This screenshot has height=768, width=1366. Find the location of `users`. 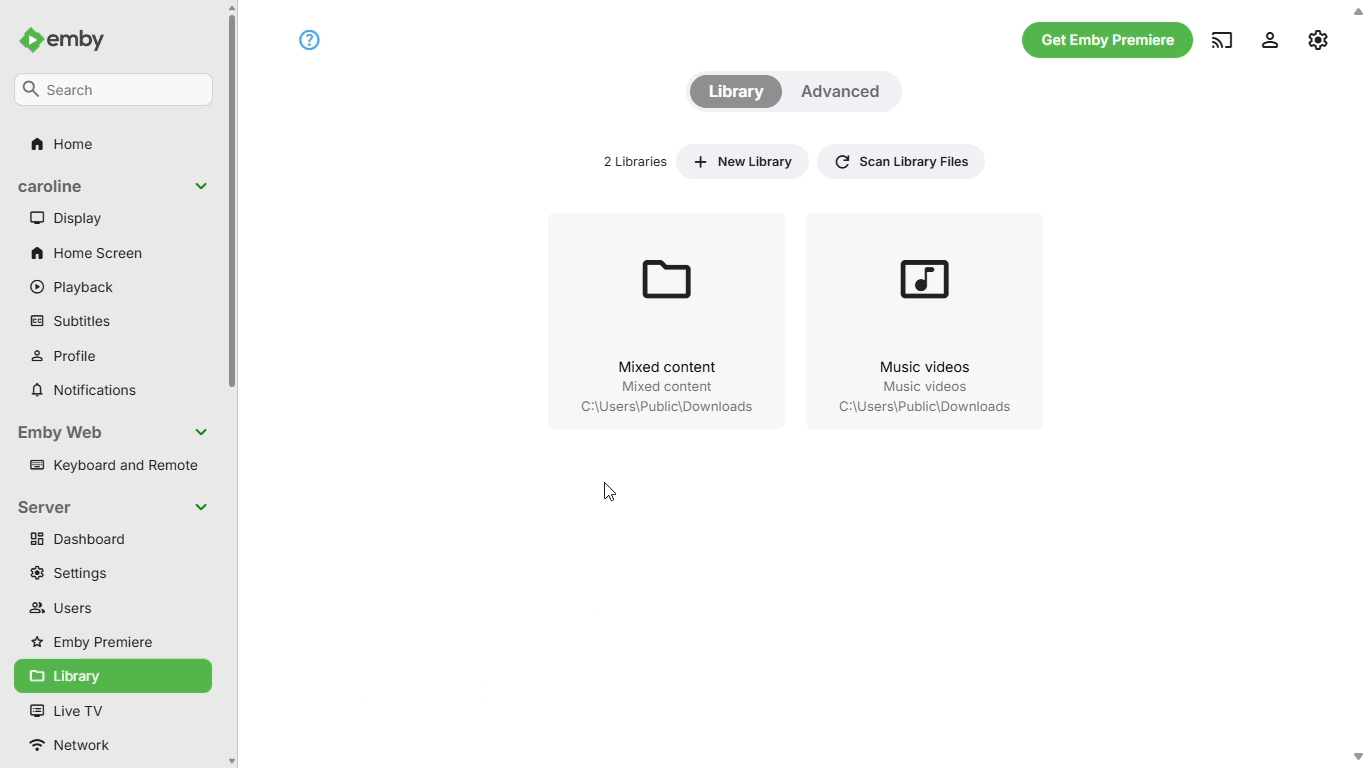

users is located at coordinates (61, 608).